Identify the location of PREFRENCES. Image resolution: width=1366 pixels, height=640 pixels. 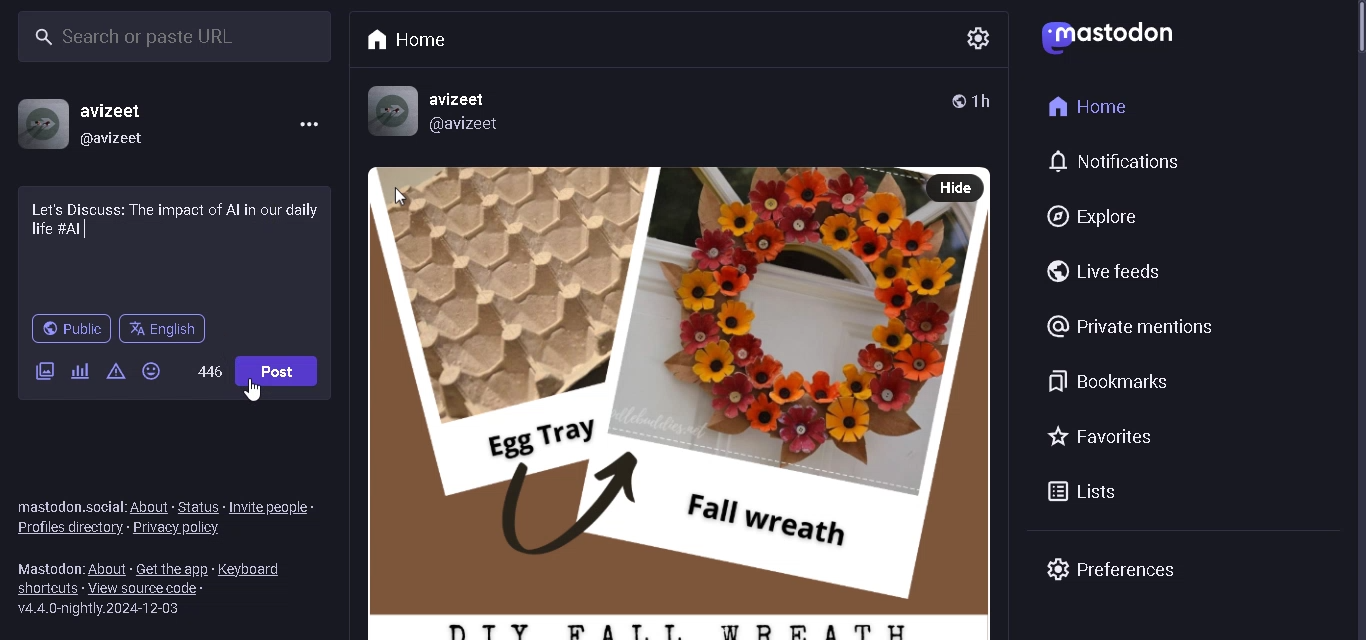
(1114, 570).